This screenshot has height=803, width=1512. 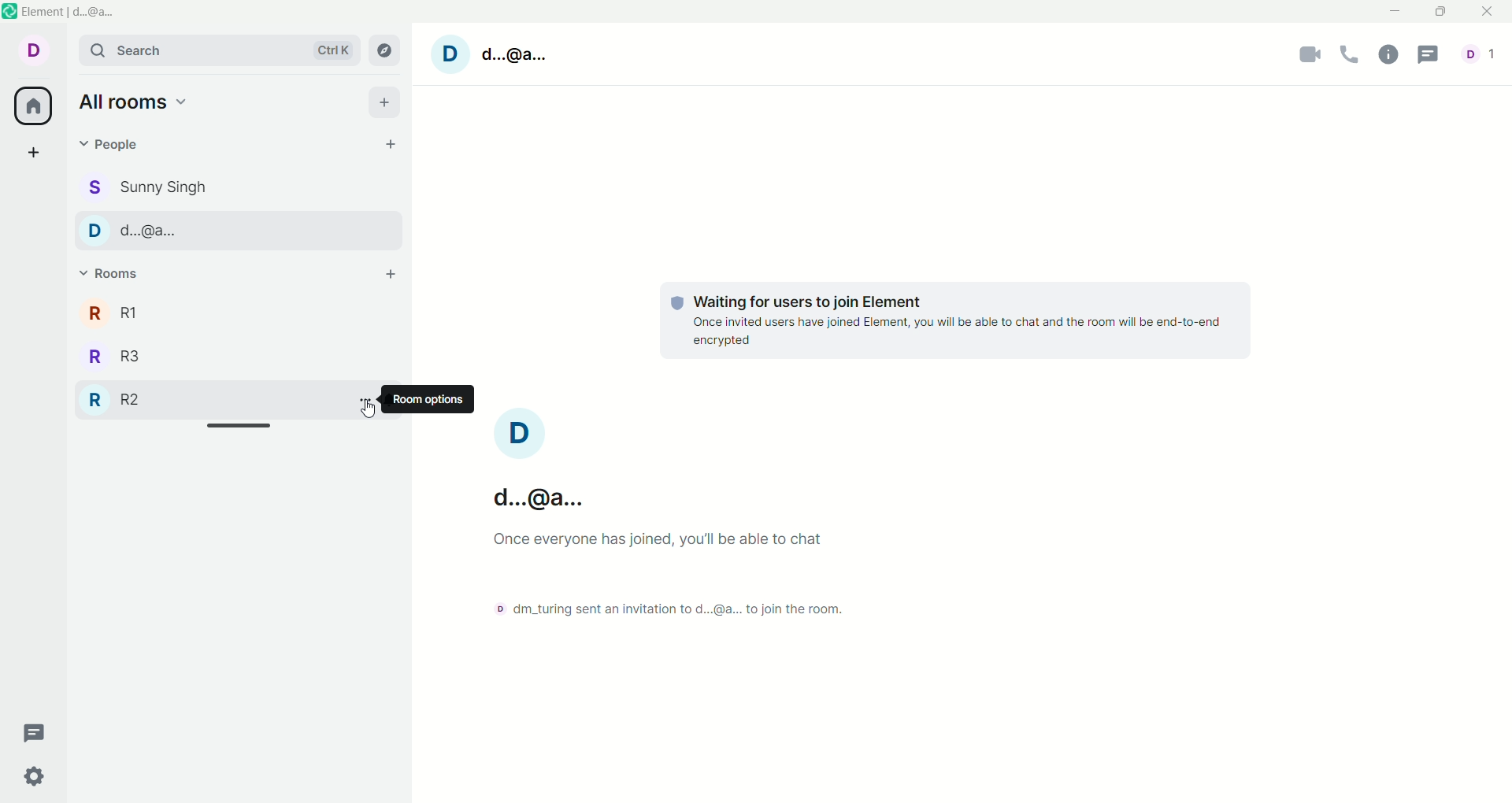 I want to click on room options, so click(x=431, y=401).